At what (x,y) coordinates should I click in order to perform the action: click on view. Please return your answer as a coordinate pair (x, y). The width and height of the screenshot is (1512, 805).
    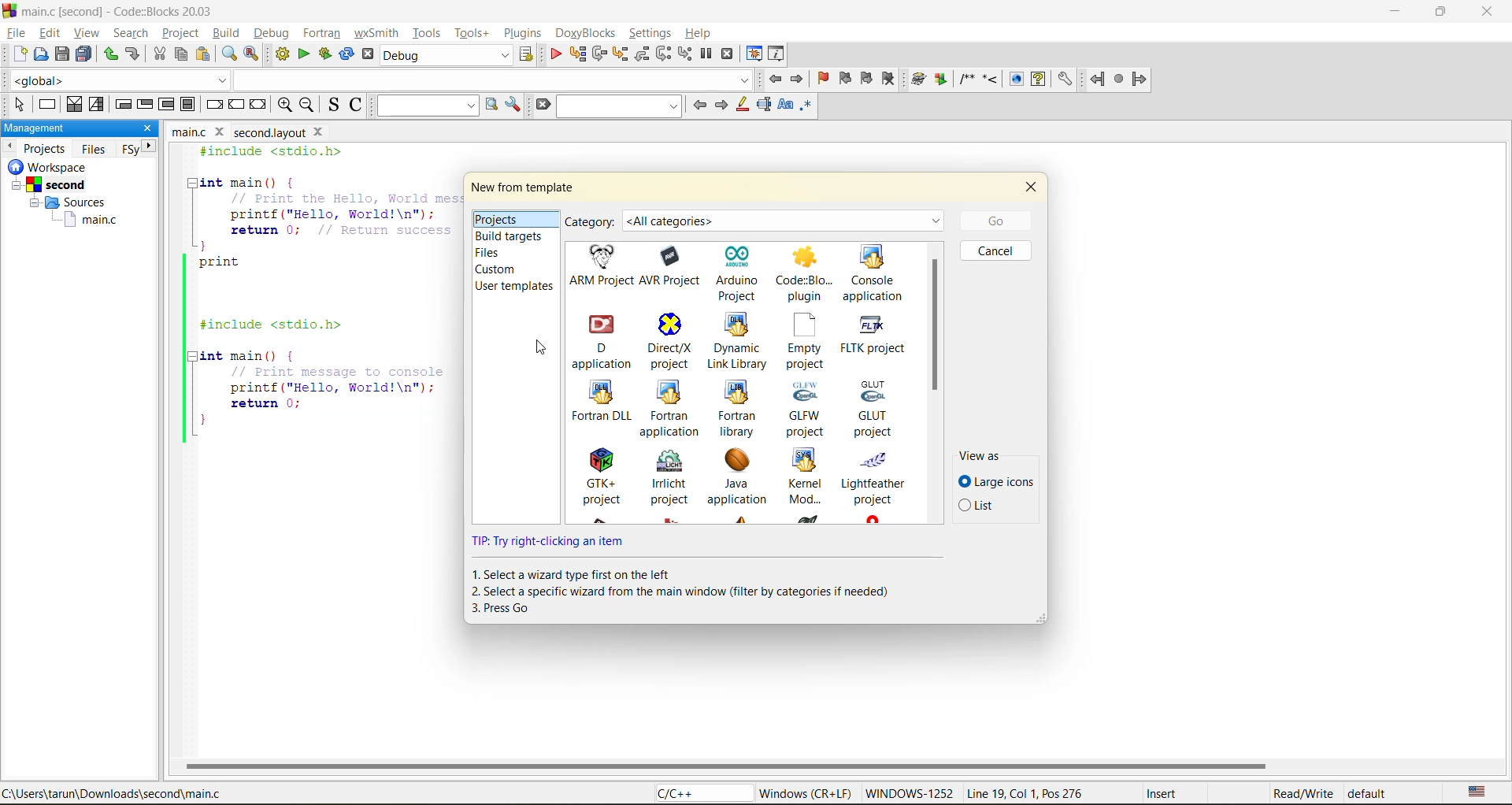
    Looking at the image, I should click on (86, 35).